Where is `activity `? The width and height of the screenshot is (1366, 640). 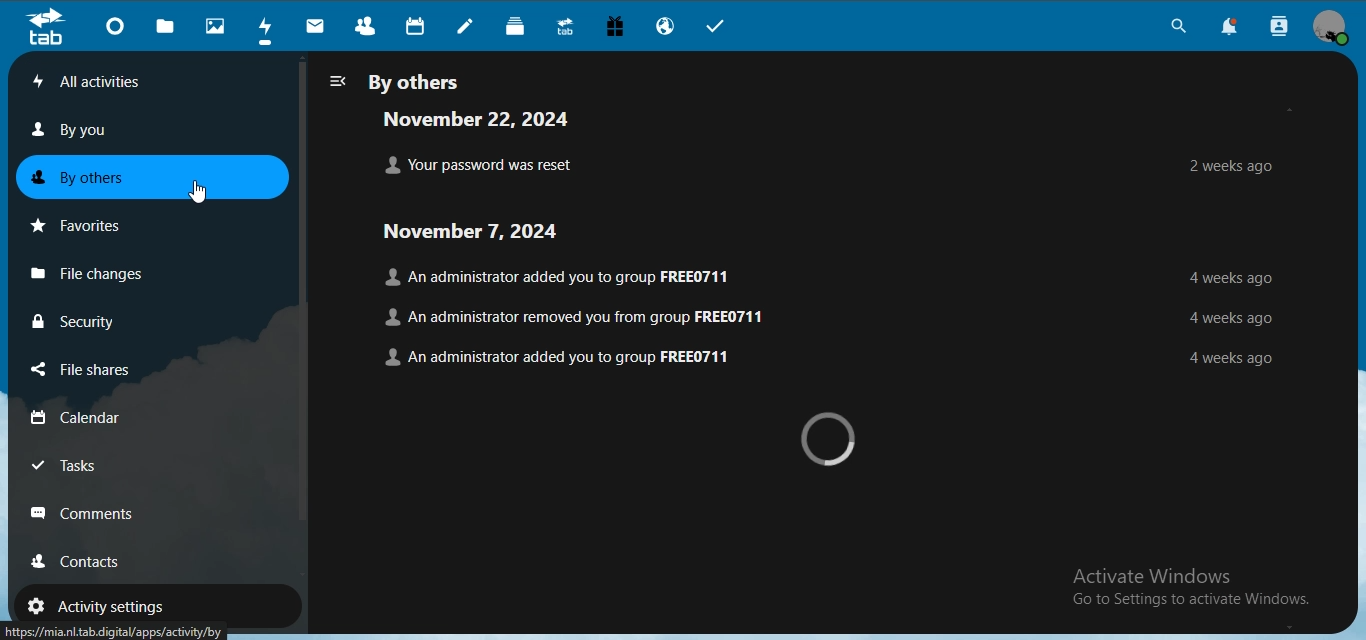 activity  is located at coordinates (265, 28).